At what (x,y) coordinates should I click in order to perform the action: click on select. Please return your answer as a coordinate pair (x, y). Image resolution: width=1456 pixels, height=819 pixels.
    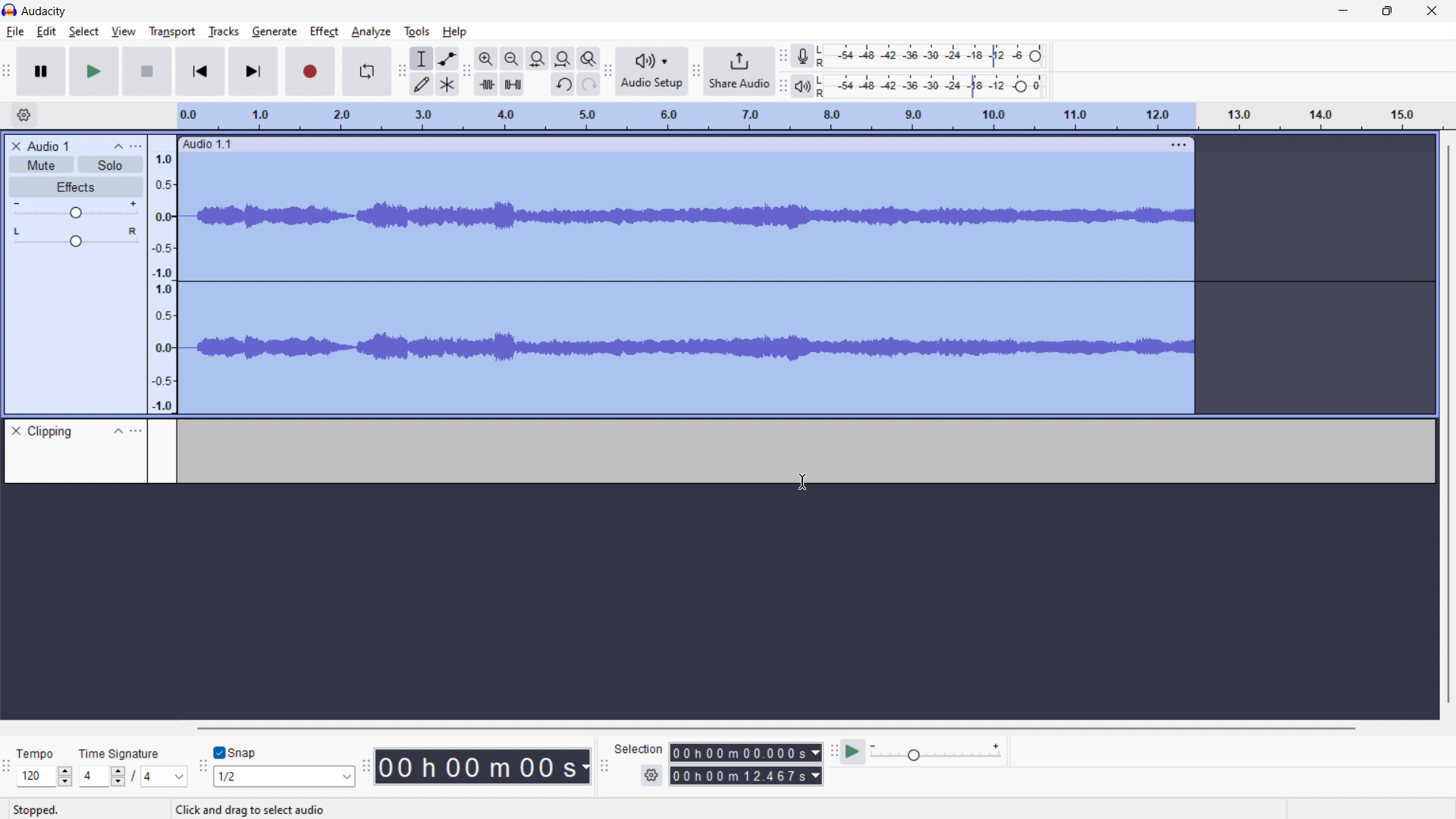
    Looking at the image, I should click on (84, 32).